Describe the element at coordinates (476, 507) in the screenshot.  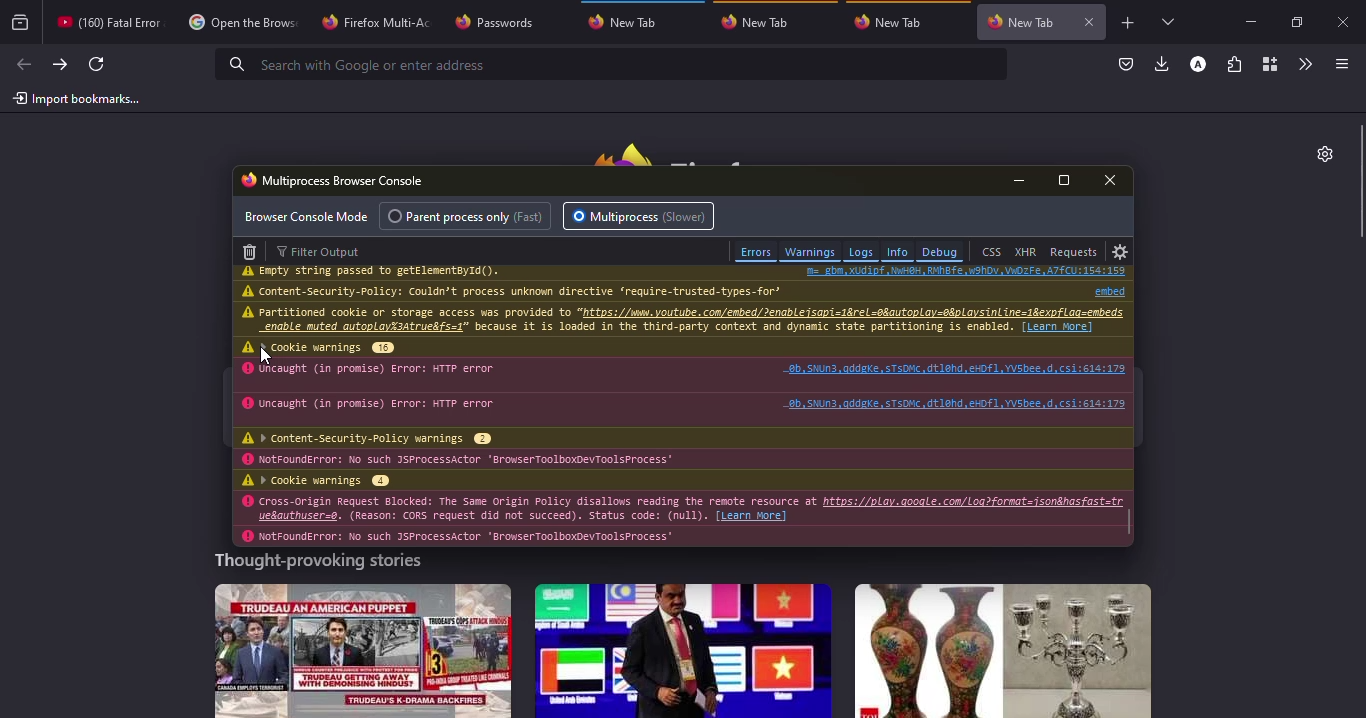
I see `info` at that location.